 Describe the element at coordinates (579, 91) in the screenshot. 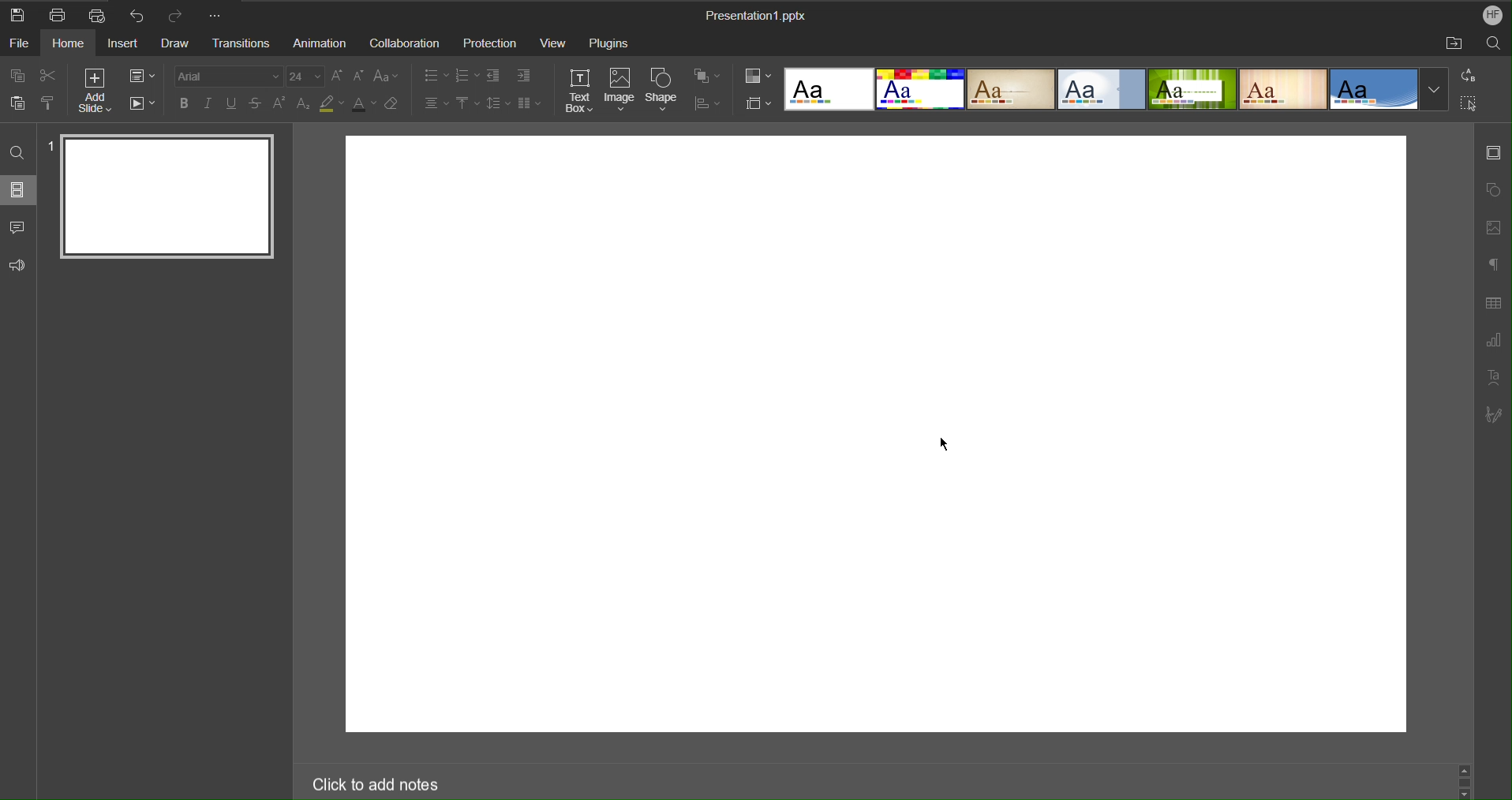

I see `Text Box` at that location.